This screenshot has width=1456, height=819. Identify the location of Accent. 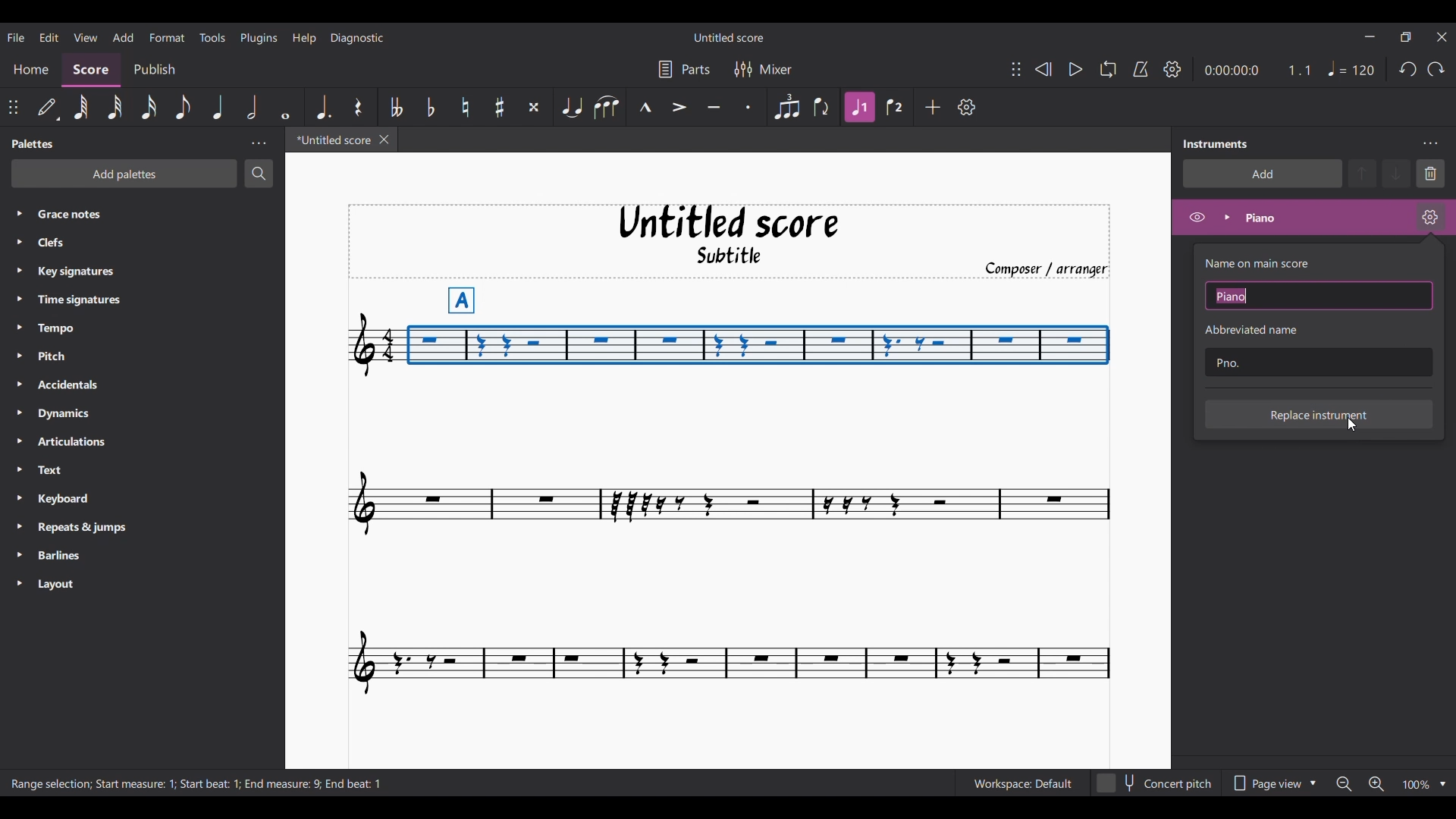
(678, 107).